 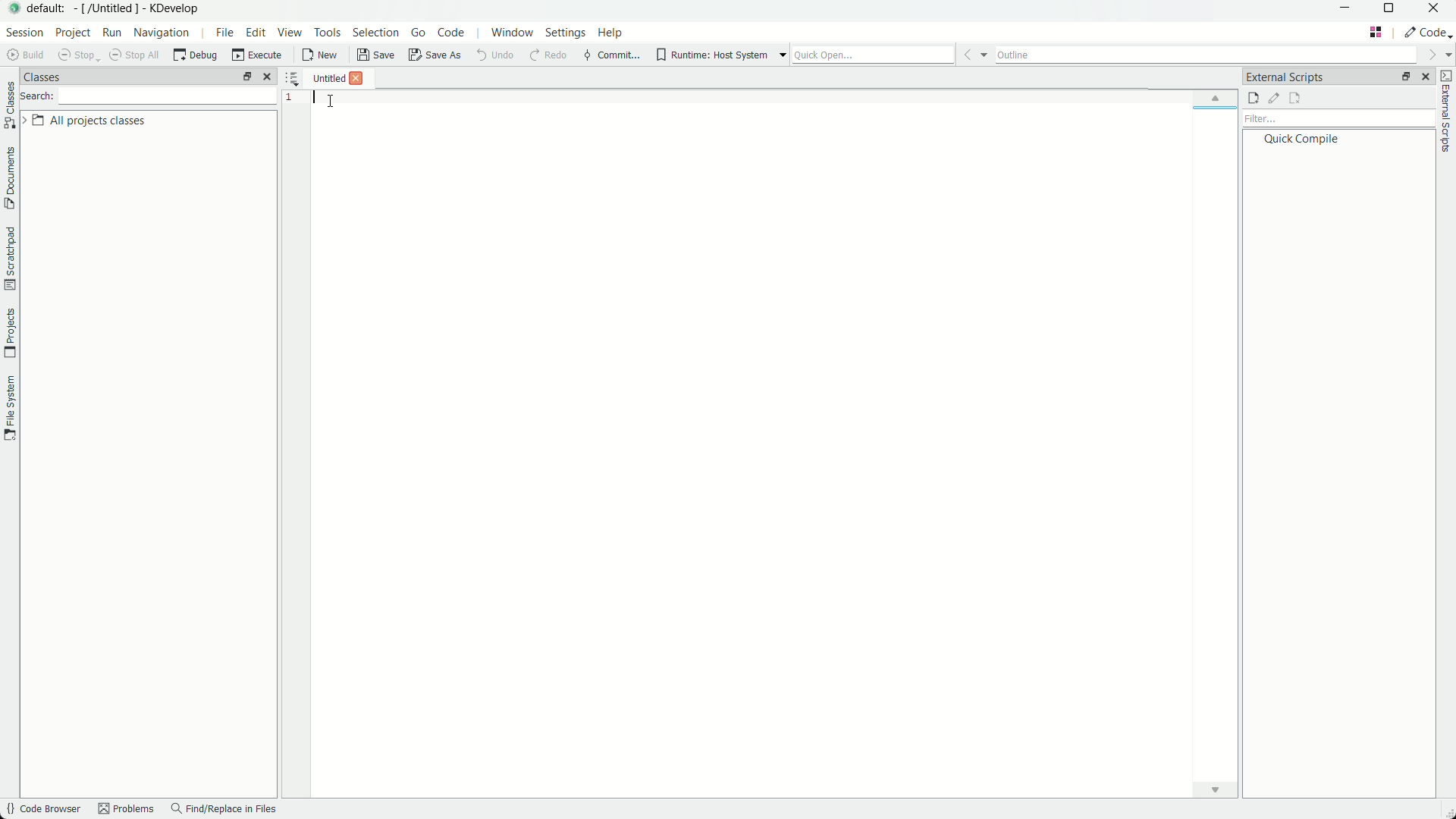 What do you see at coordinates (77, 57) in the screenshot?
I see `stop` at bounding box center [77, 57].